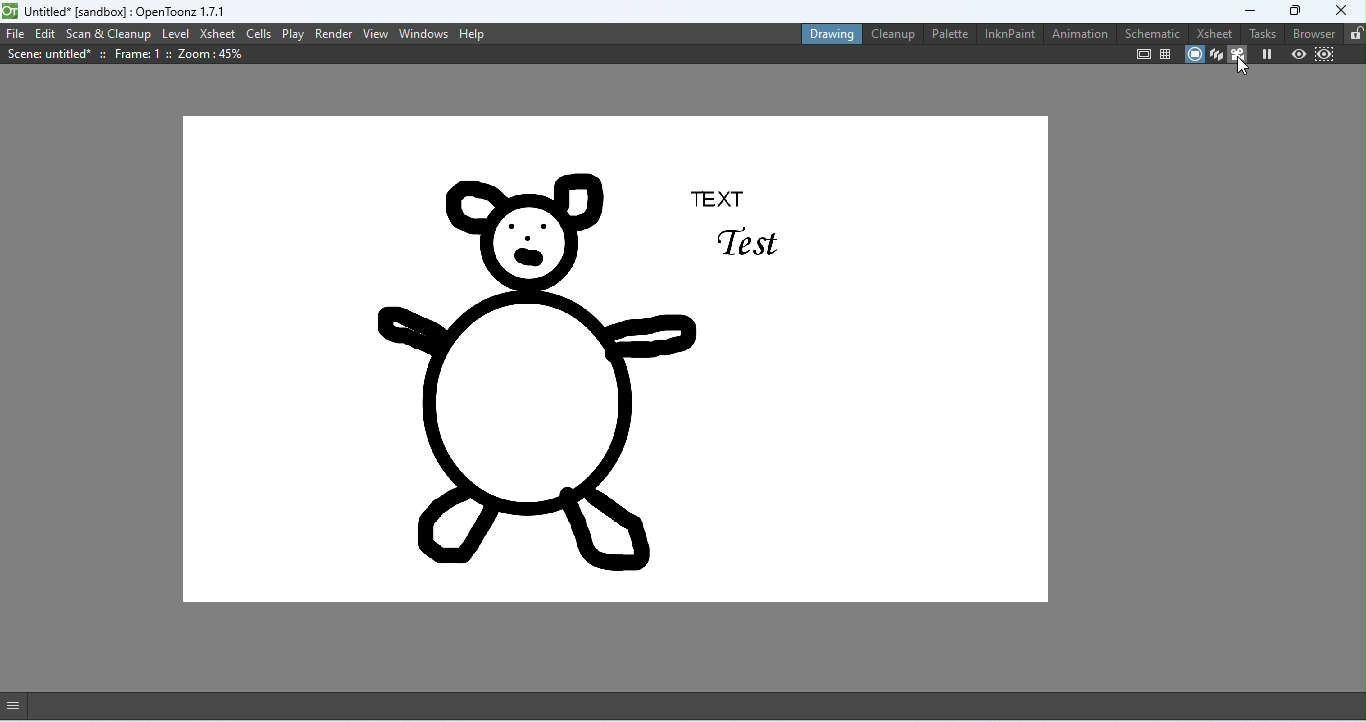  Describe the element at coordinates (176, 33) in the screenshot. I see `level` at that location.